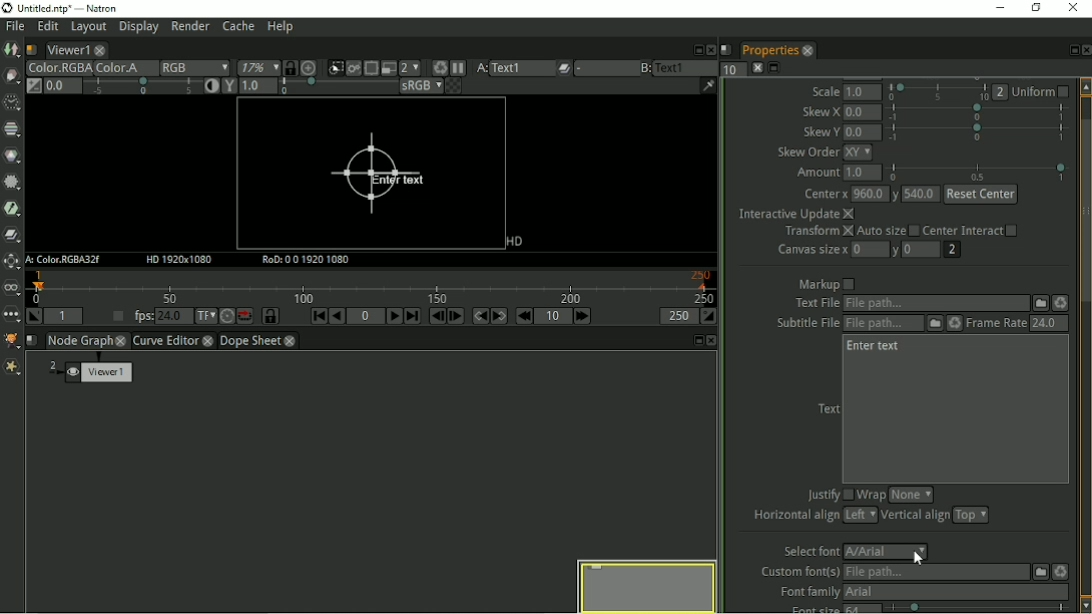 This screenshot has width=1092, height=614. I want to click on top, so click(971, 516).